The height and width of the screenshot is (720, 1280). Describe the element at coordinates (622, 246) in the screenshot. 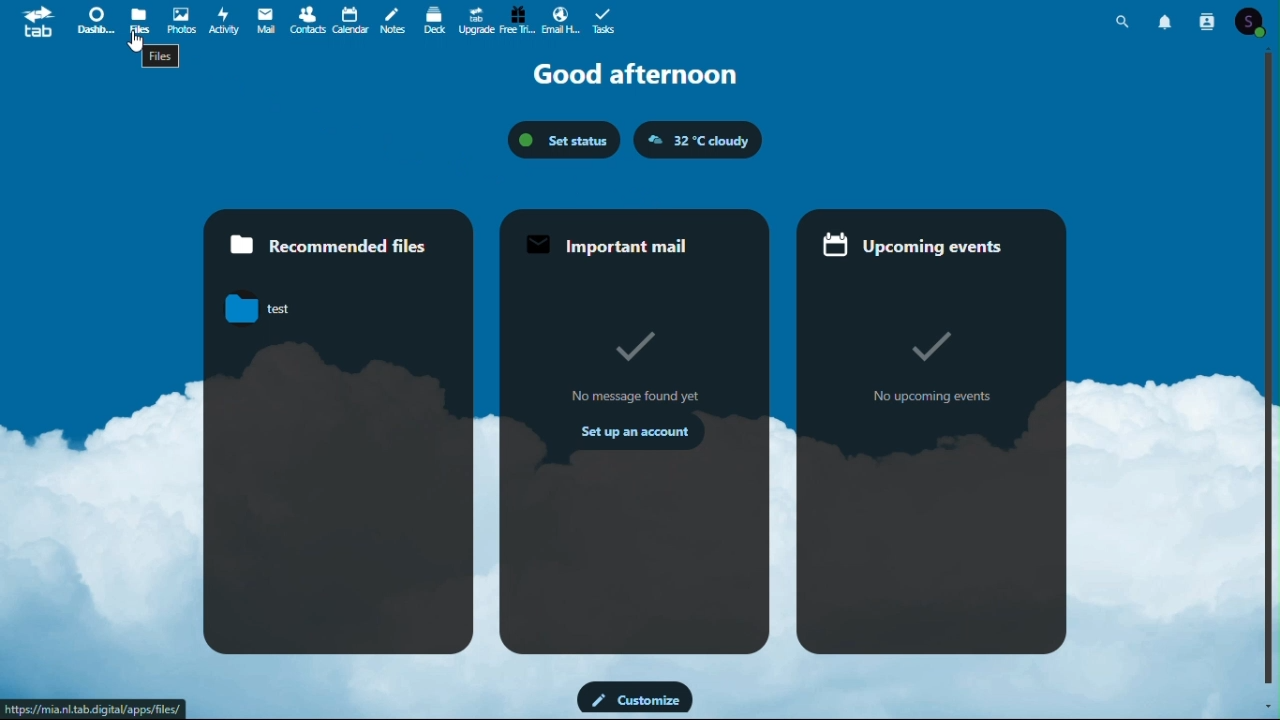

I see `Important mail` at that location.